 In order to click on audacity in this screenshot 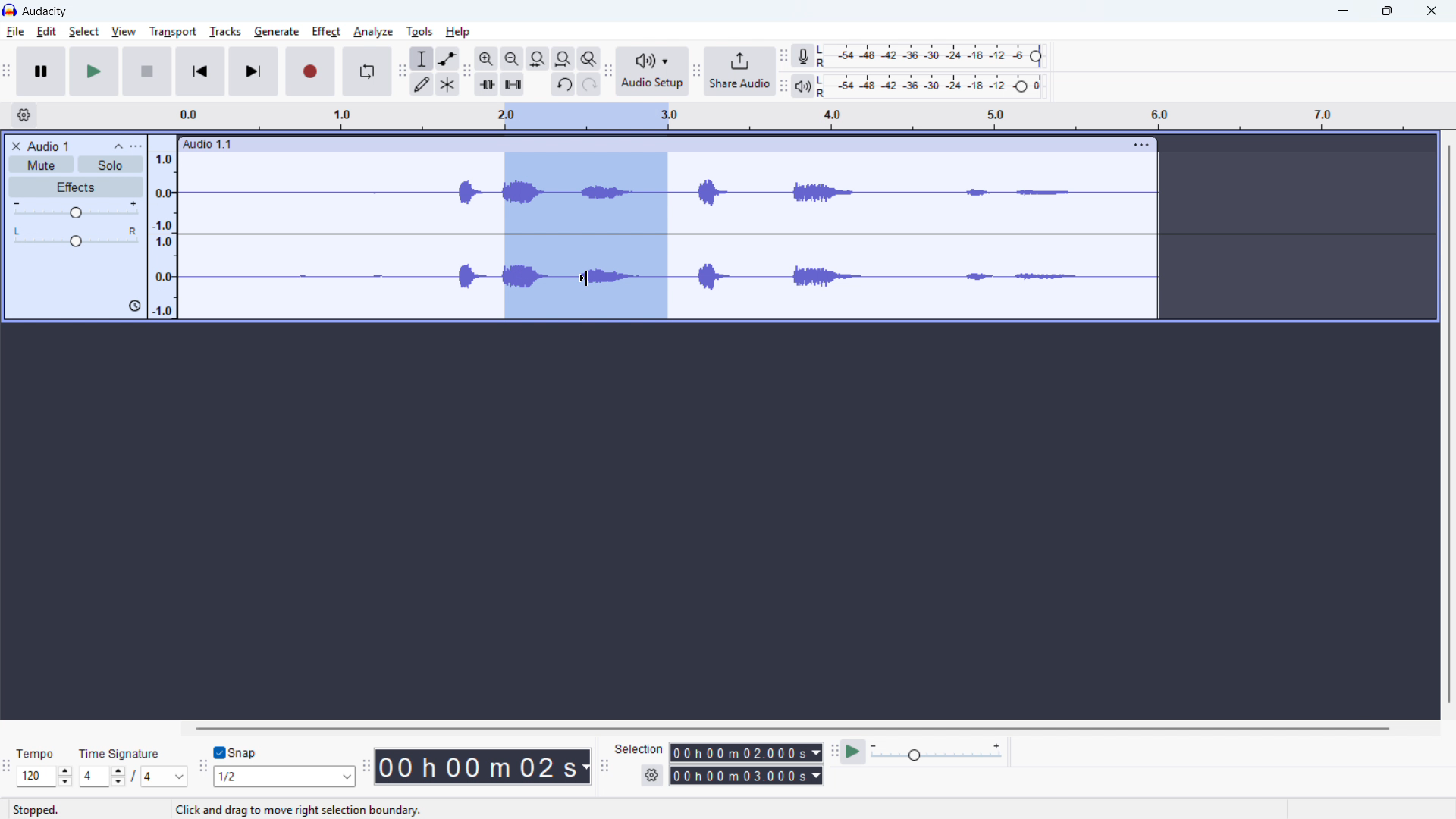, I will do `click(49, 11)`.